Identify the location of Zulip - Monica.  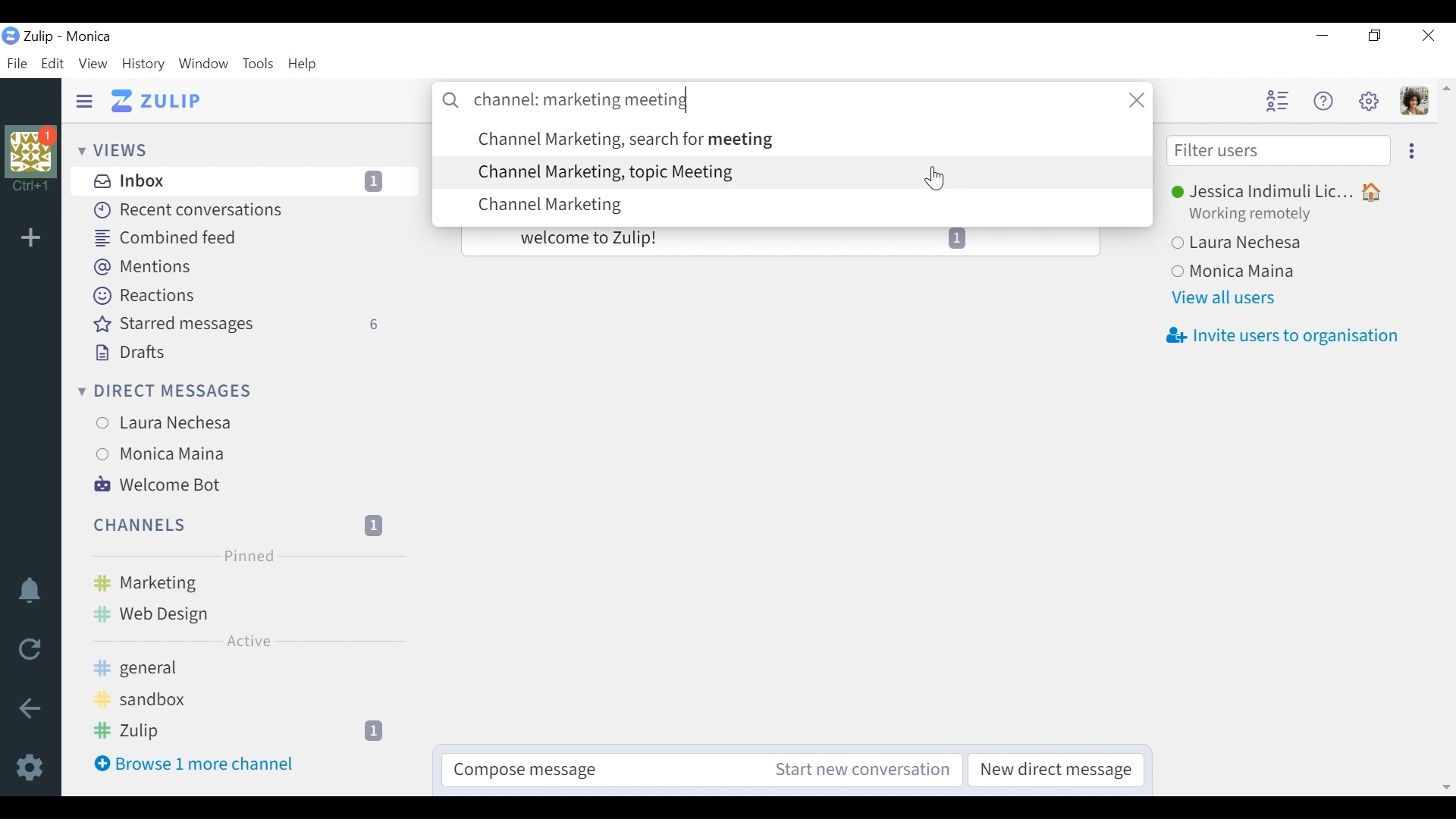
(69, 37).